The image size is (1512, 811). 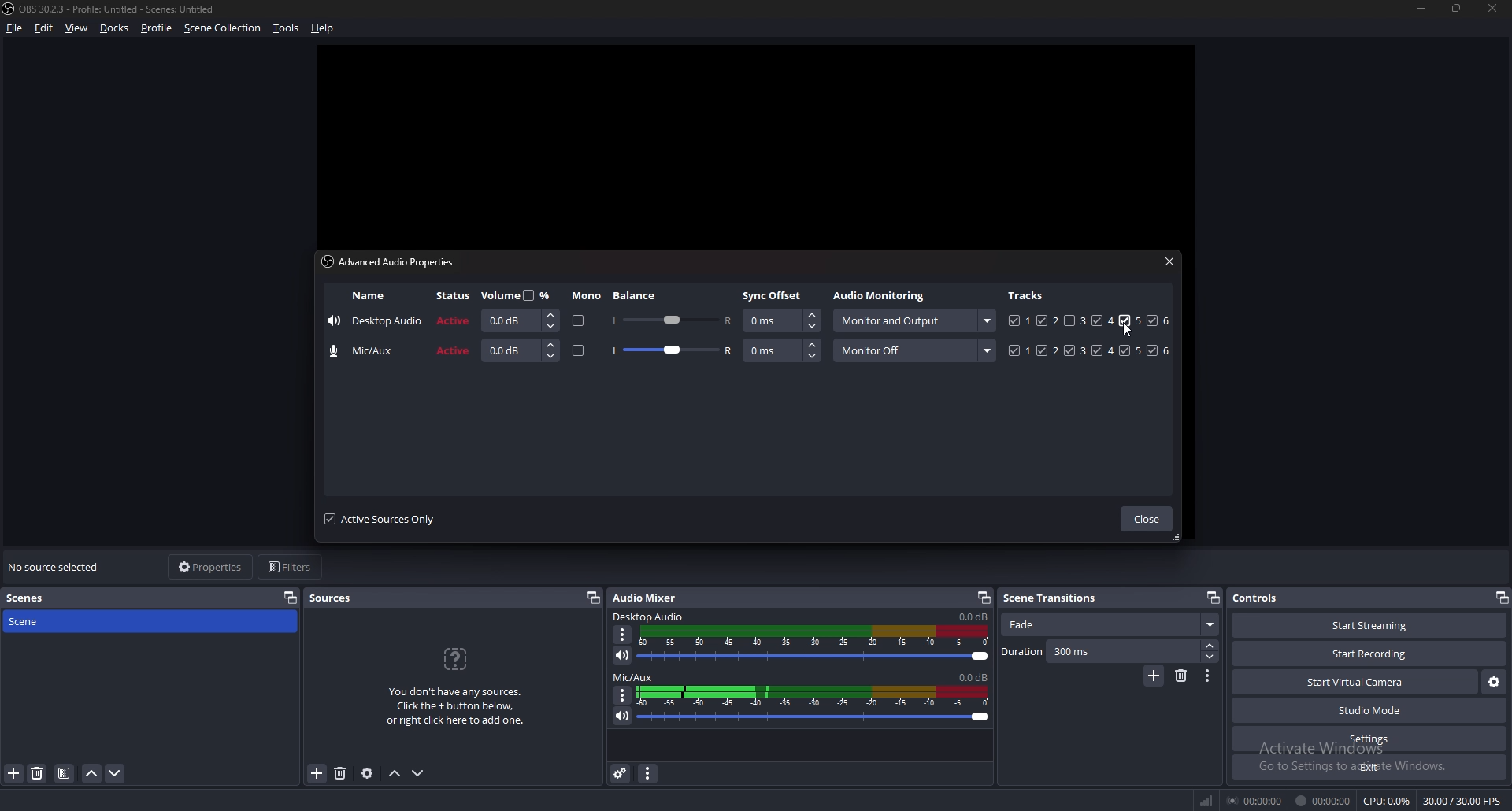 I want to click on options, so click(x=623, y=694).